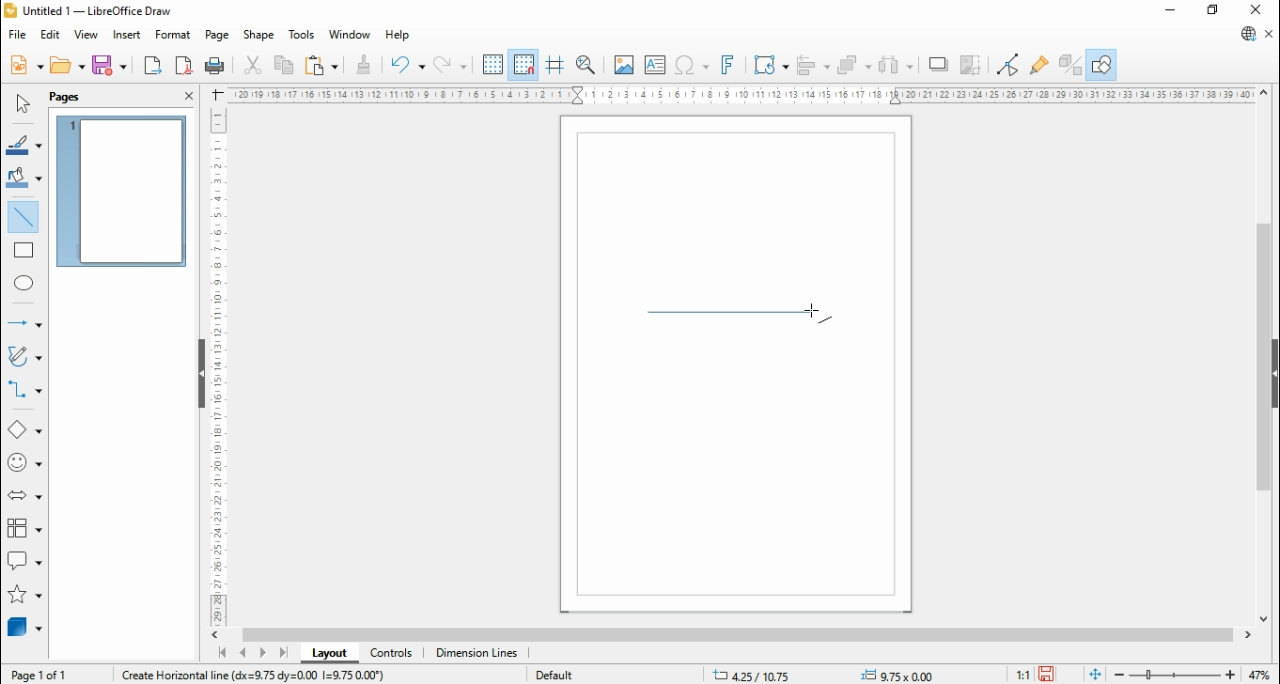 This screenshot has width=1280, height=684. Describe the element at coordinates (398, 35) in the screenshot. I see `help` at that location.